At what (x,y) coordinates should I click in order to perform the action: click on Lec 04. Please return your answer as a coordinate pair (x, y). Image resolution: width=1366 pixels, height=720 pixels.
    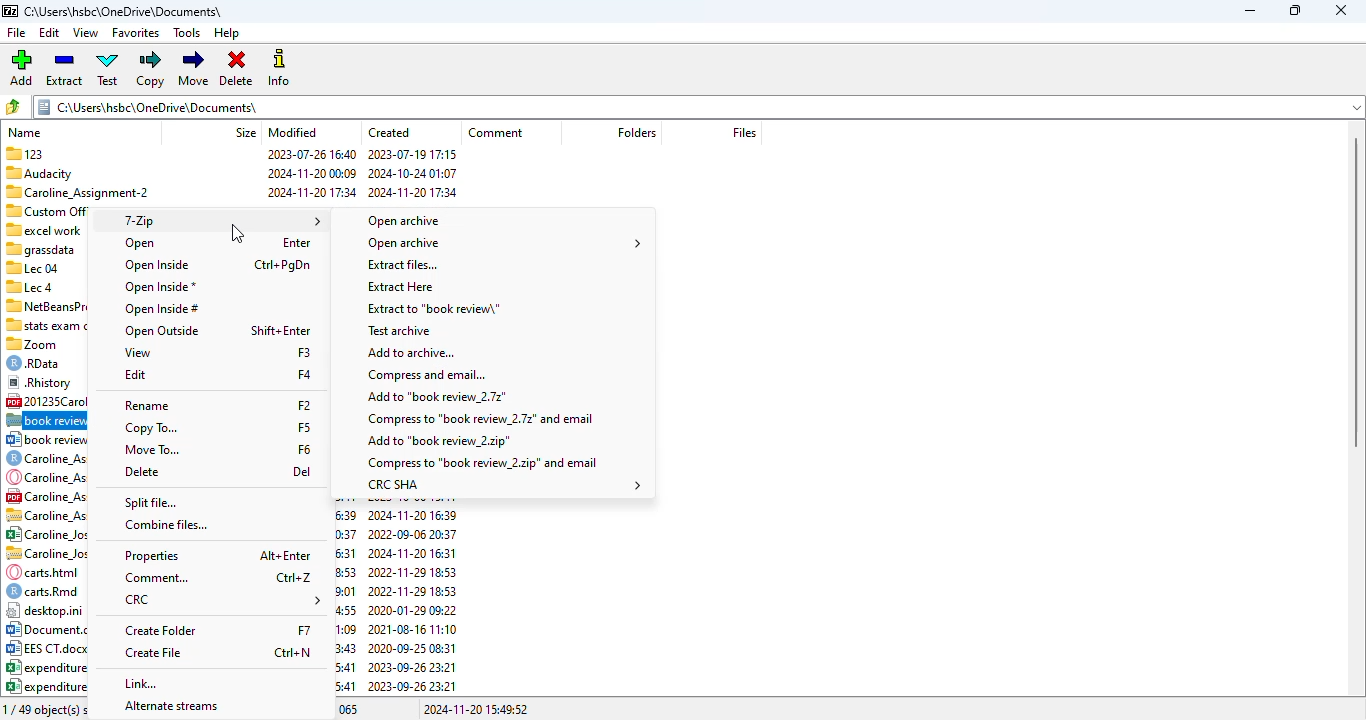
    Looking at the image, I should click on (32, 267).